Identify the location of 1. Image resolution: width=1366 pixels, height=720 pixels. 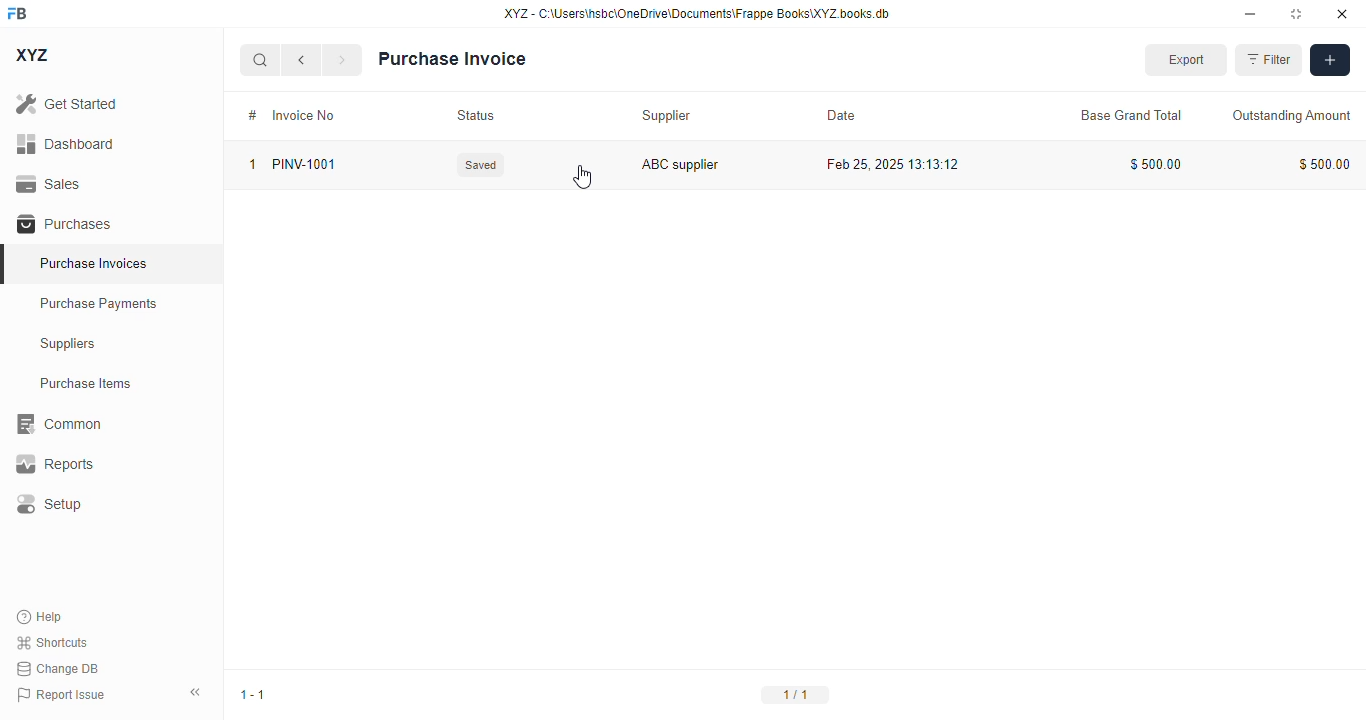
(252, 164).